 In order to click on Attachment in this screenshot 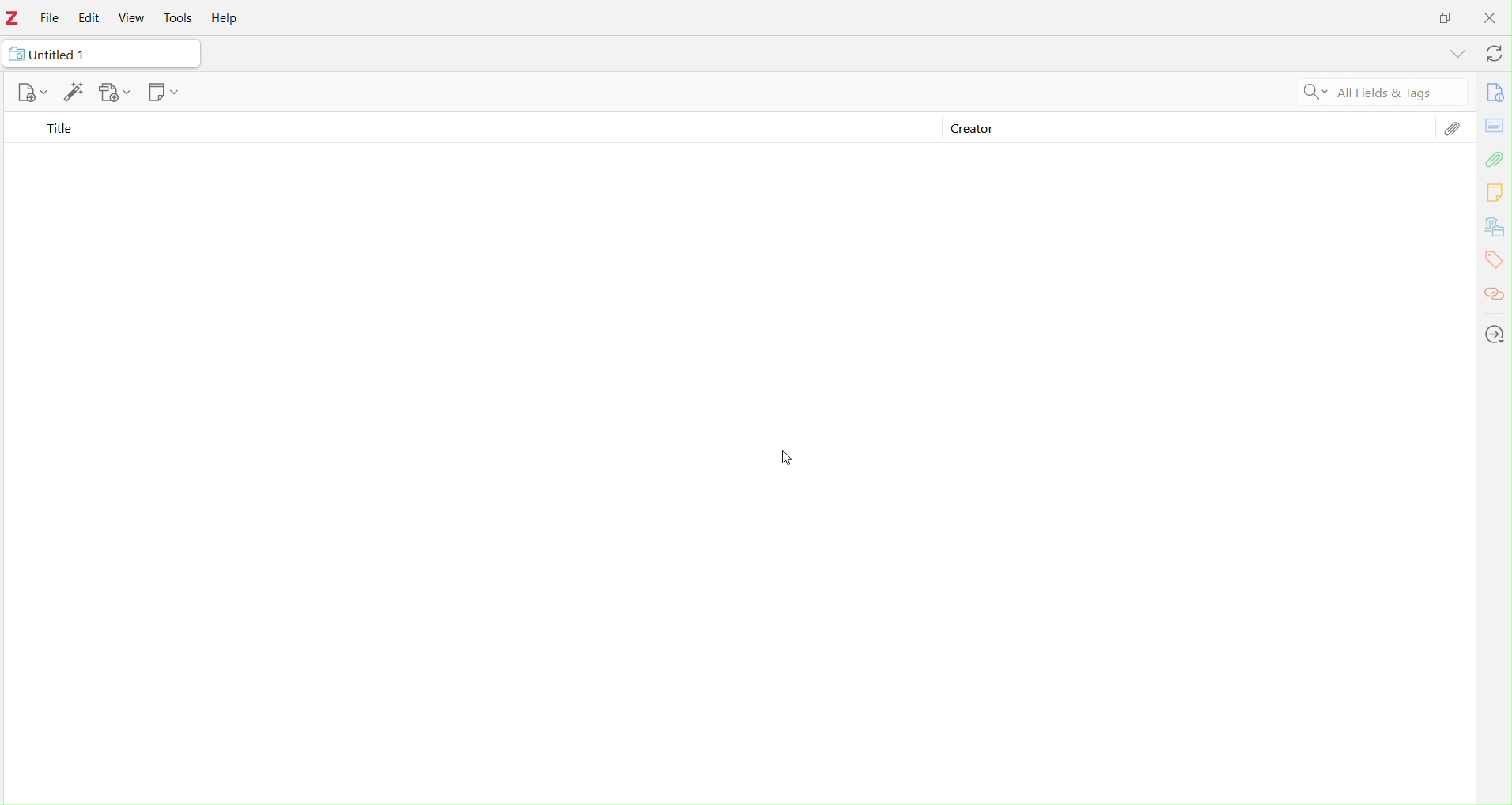, I will do `click(1452, 132)`.